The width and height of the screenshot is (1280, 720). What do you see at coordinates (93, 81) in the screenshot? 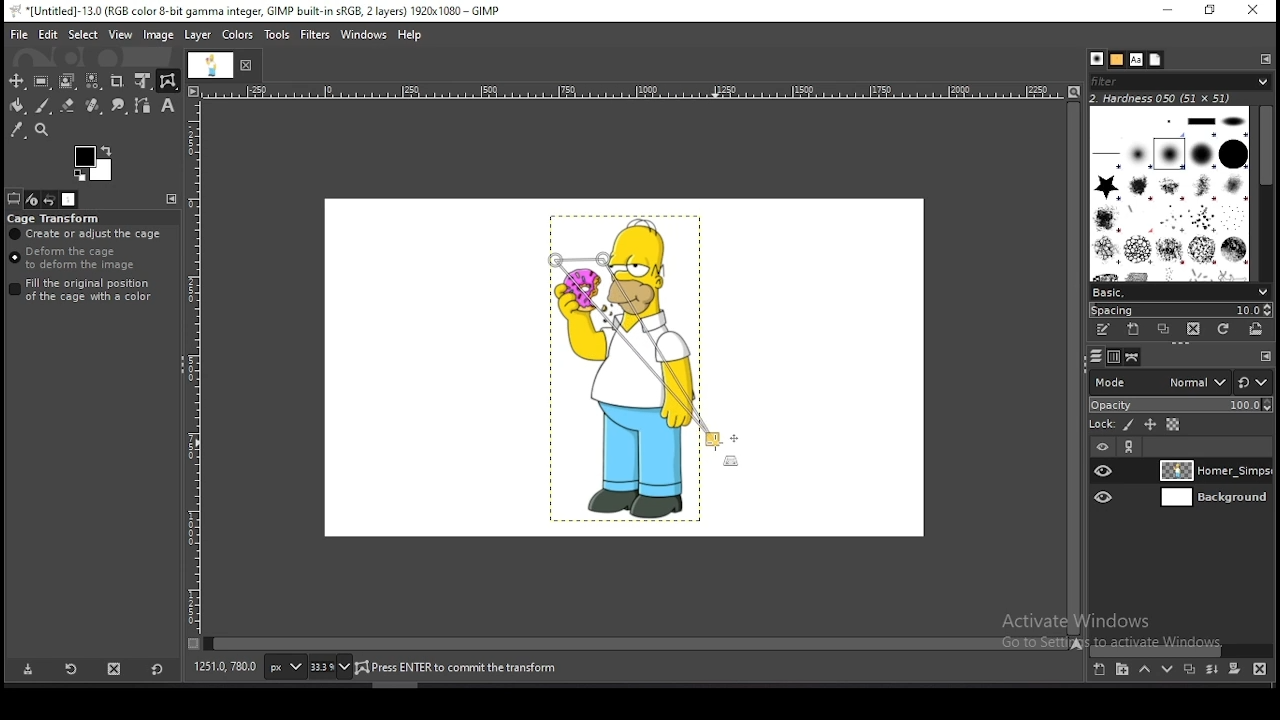
I see `select by color tool` at bounding box center [93, 81].